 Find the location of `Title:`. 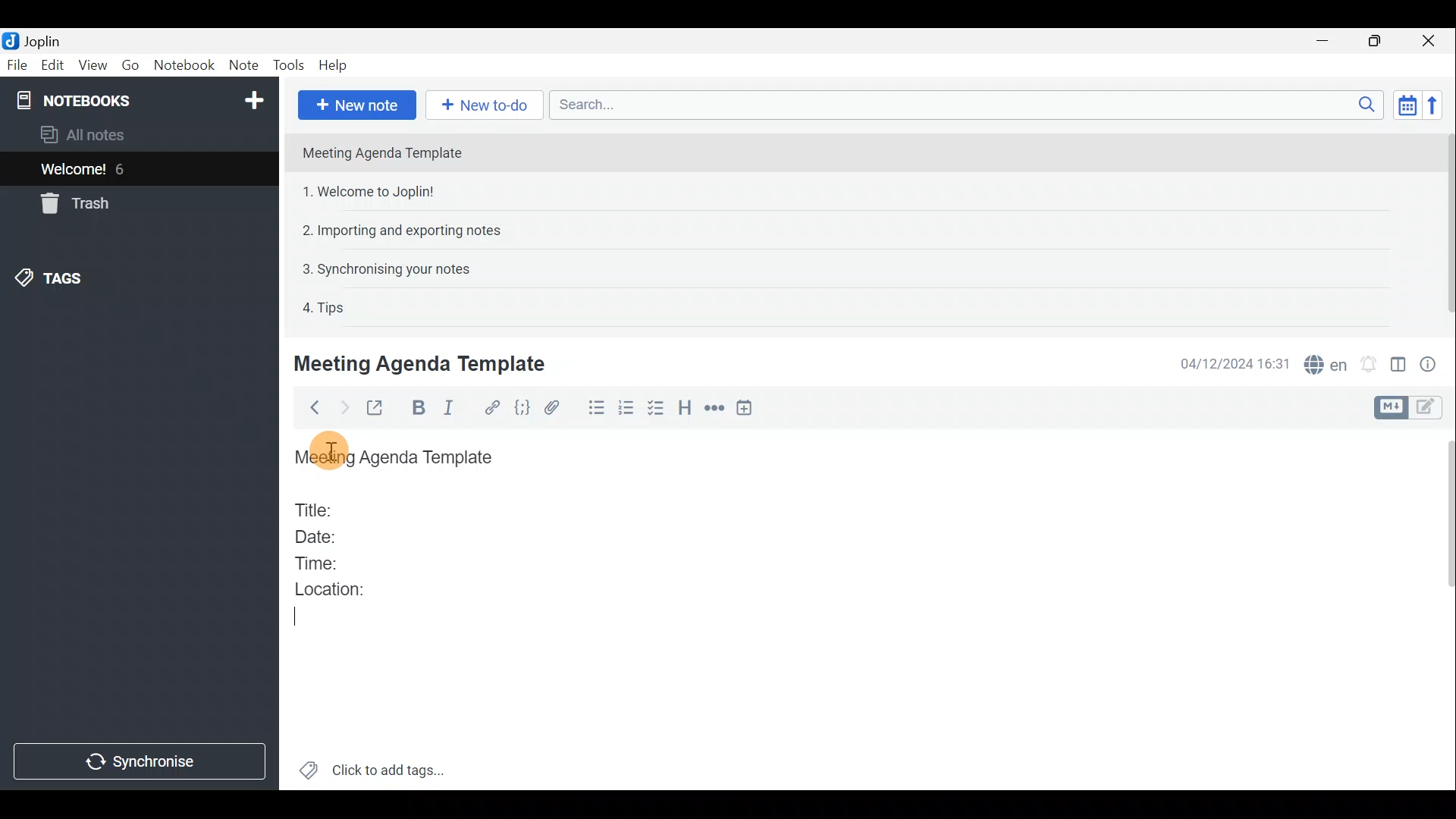

Title: is located at coordinates (316, 507).